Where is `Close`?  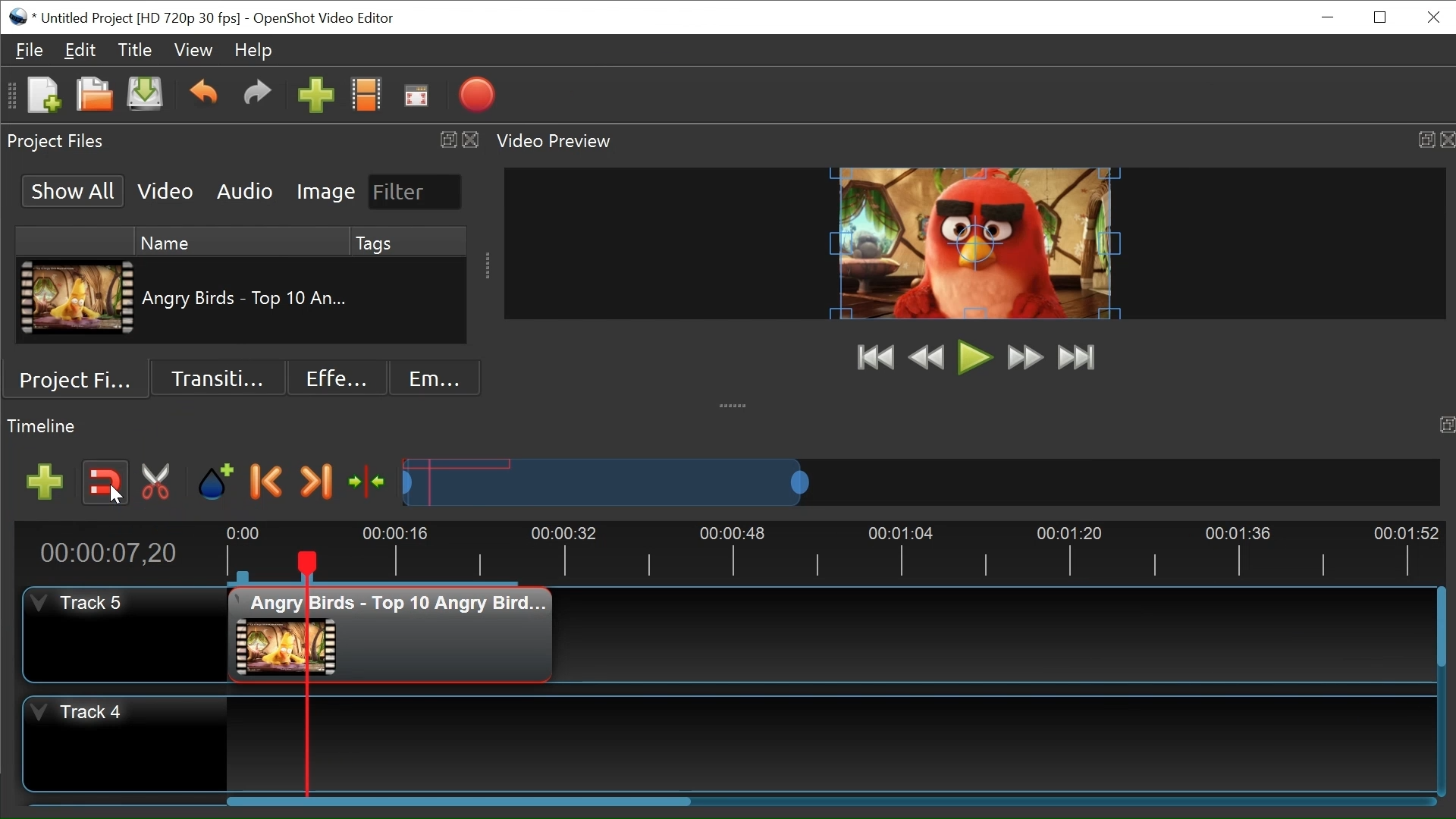
Close is located at coordinates (1432, 17).